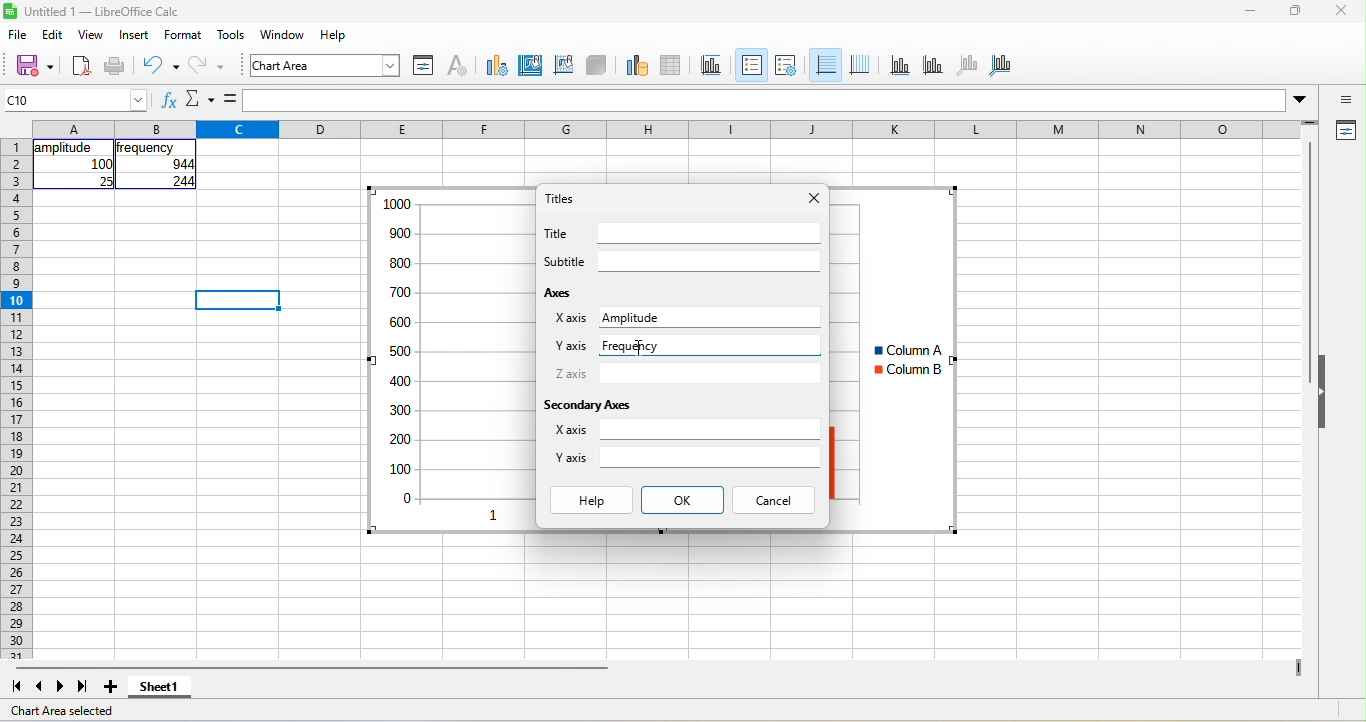 This screenshot has height=722, width=1366. What do you see at coordinates (933, 66) in the screenshot?
I see `y axis` at bounding box center [933, 66].